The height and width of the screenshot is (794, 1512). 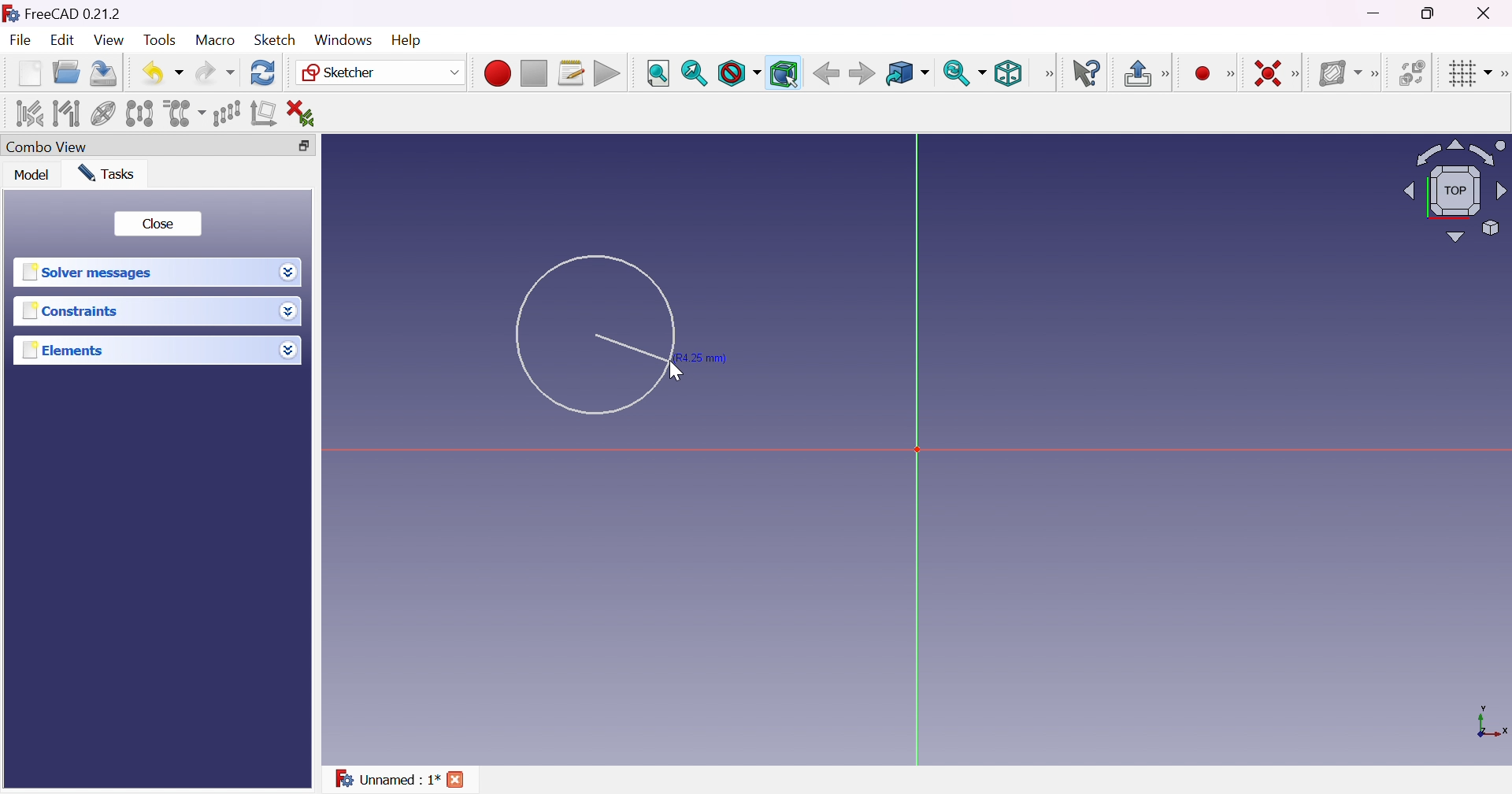 What do you see at coordinates (1298, 73) in the screenshot?
I see `[Sketcher constraints]` at bounding box center [1298, 73].